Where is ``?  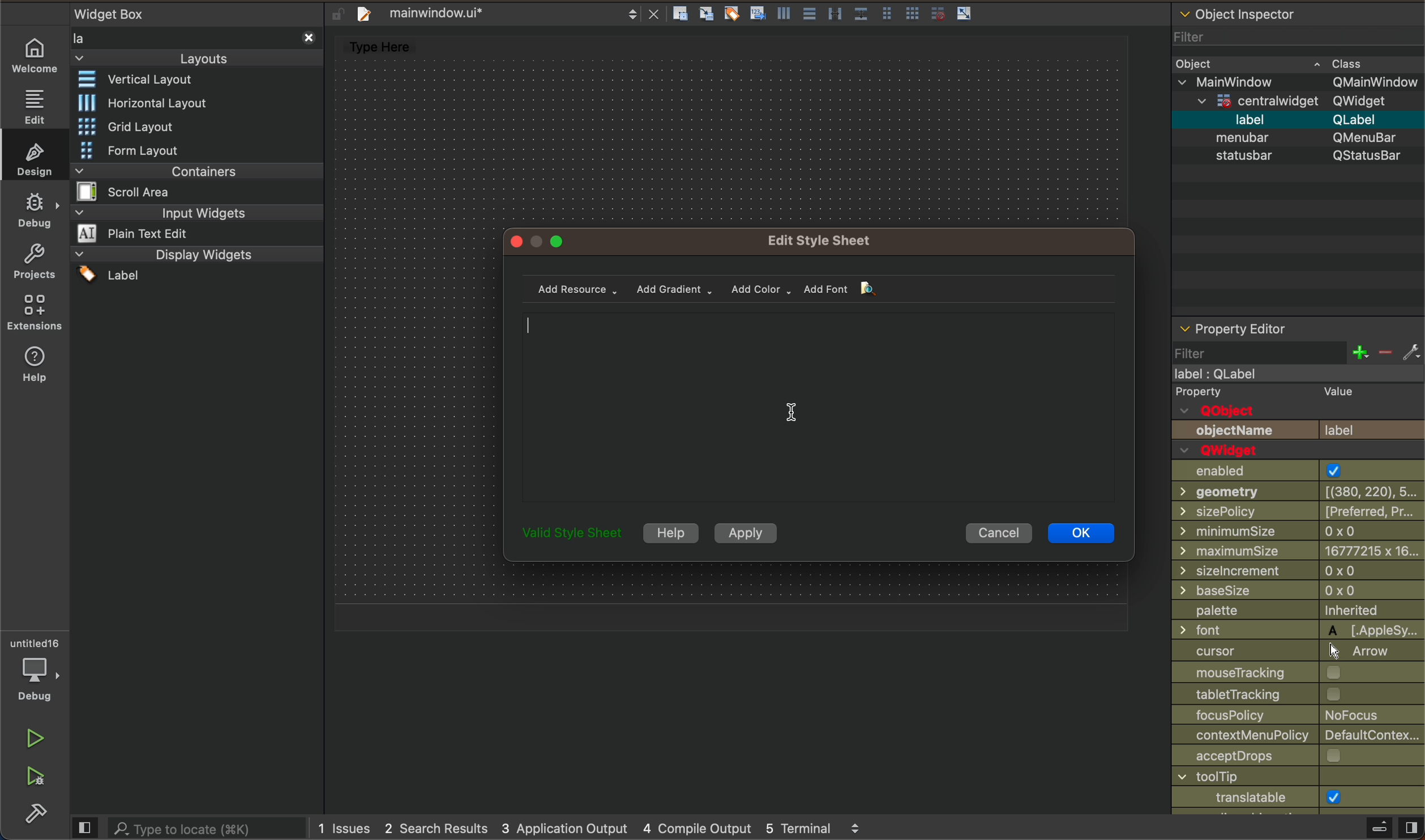
 is located at coordinates (1299, 778).